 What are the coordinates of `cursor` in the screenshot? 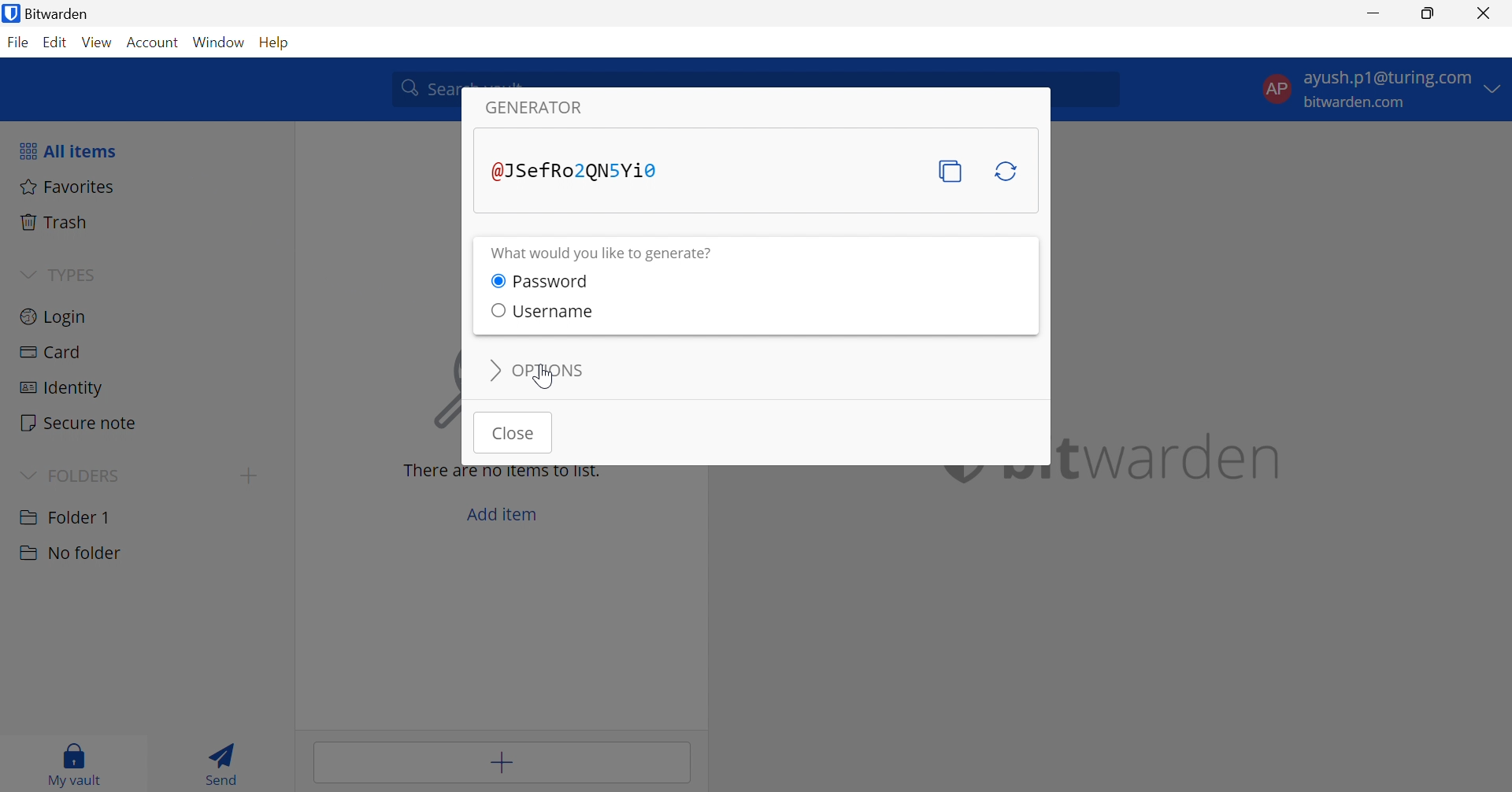 It's located at (541, 379).